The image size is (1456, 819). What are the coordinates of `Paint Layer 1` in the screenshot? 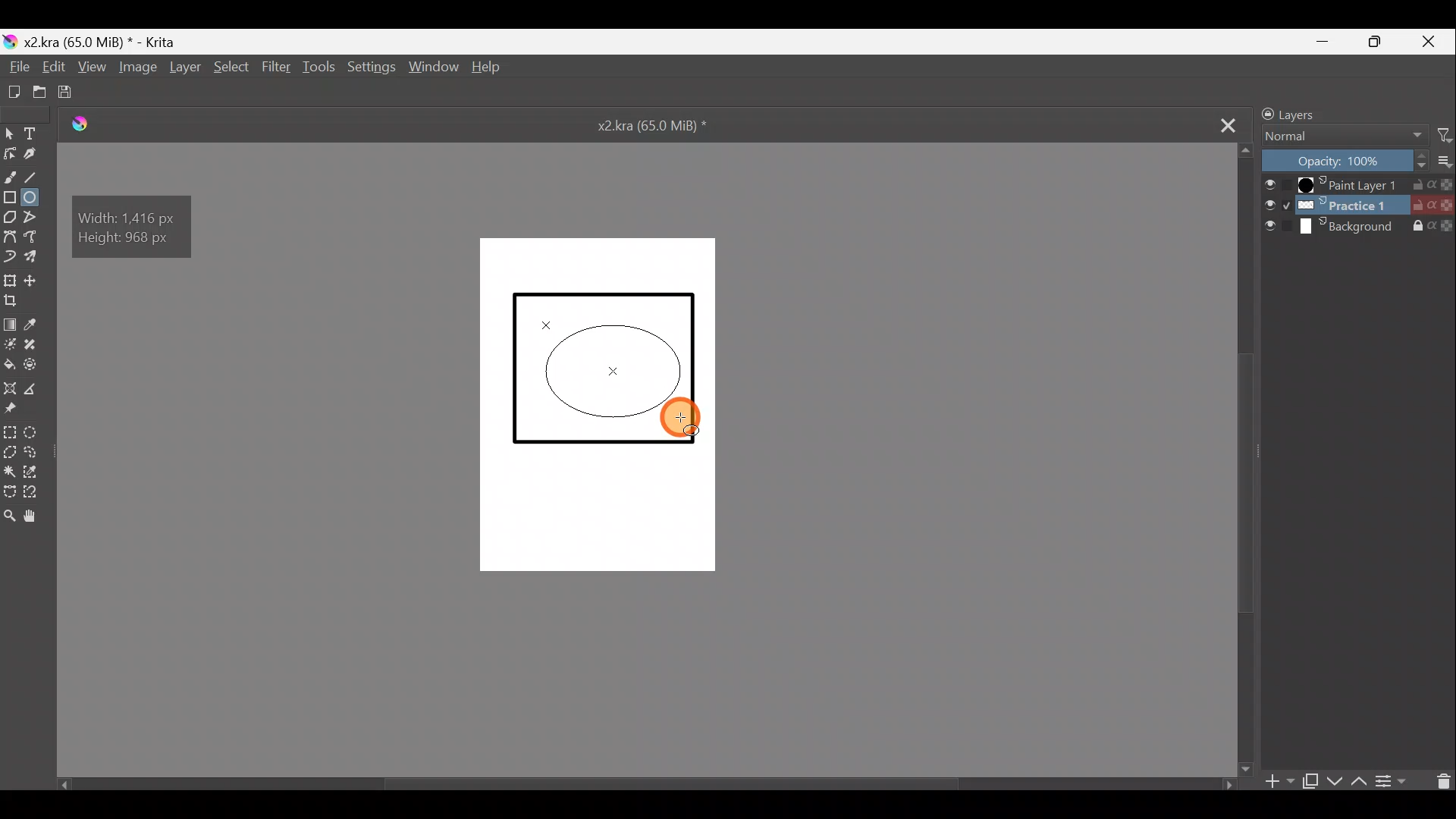 It's located at (1358, 184).